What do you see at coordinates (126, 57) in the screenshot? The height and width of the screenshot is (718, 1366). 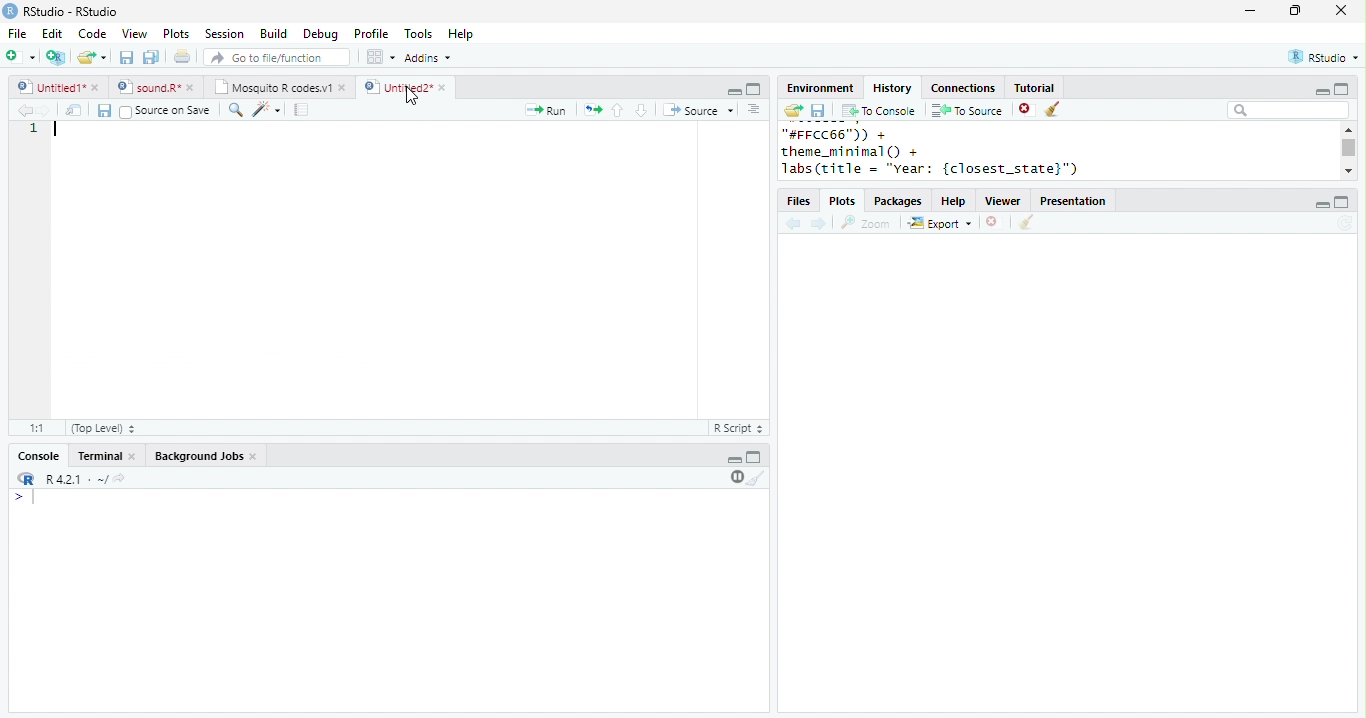 I see `save` at bounding box center [126, 57].